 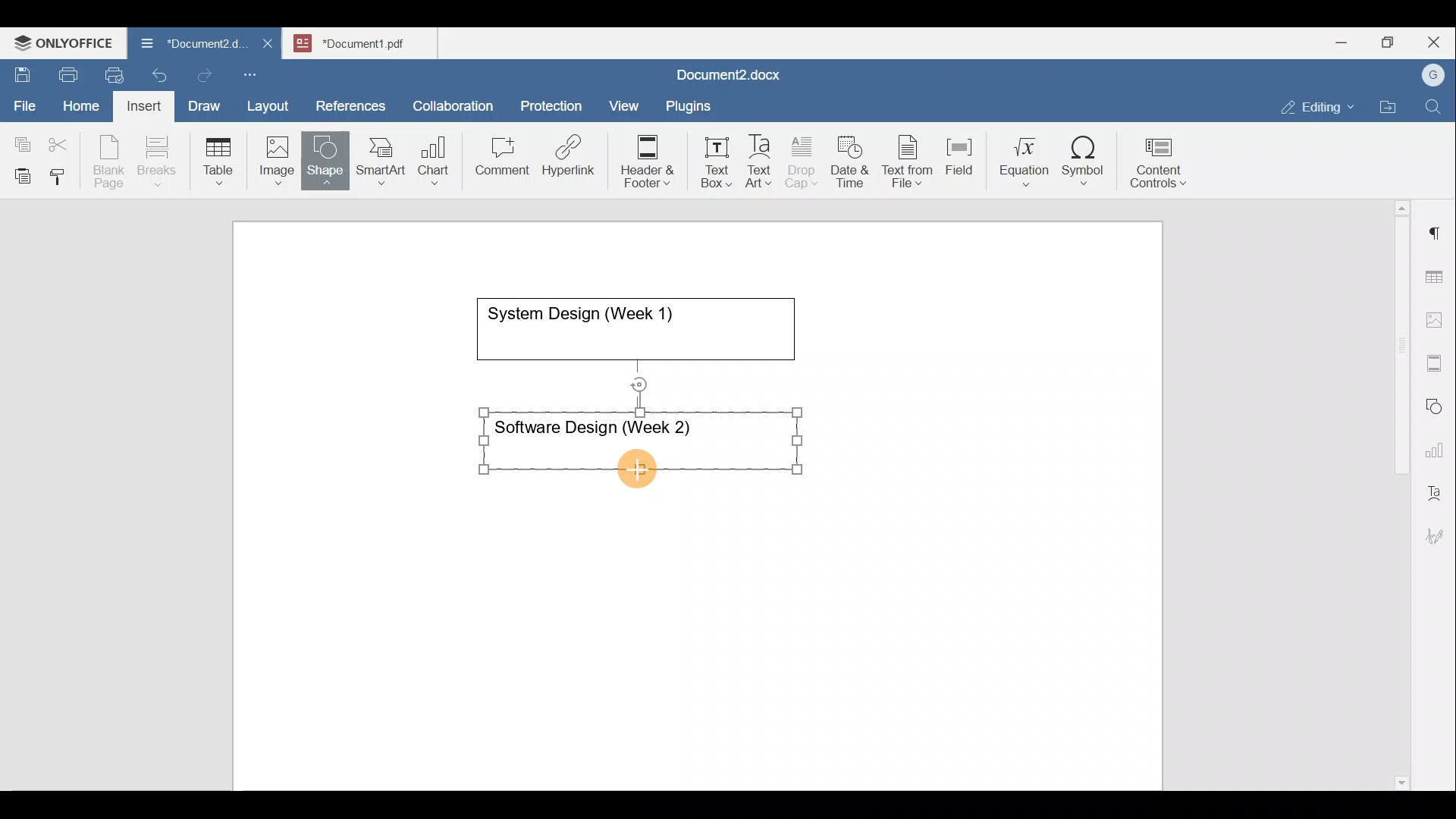 I want to click on Document name, so click(x=369, y=41).